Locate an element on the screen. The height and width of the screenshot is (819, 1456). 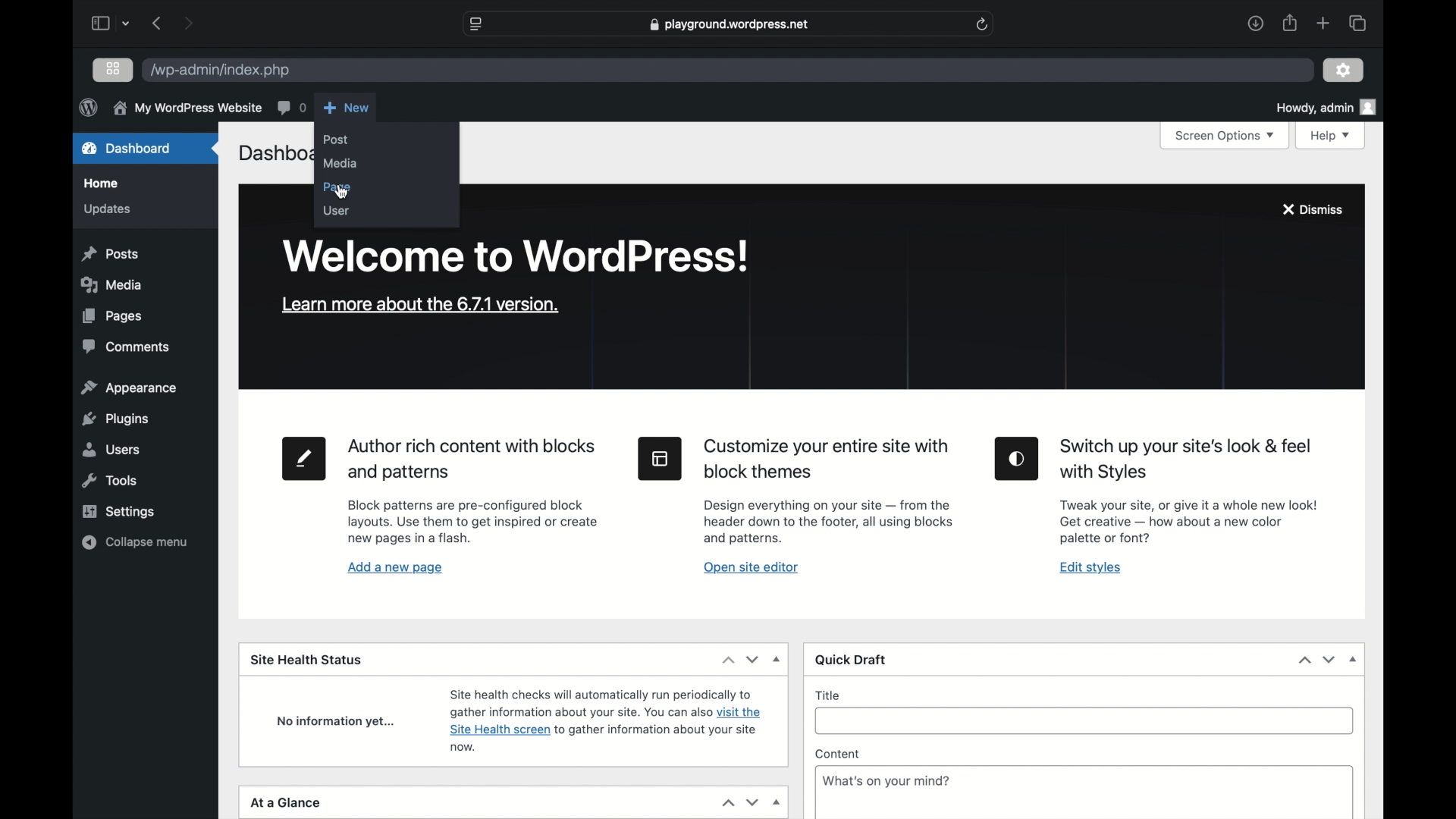
tab group picker is located at coordinates (1357, 23).